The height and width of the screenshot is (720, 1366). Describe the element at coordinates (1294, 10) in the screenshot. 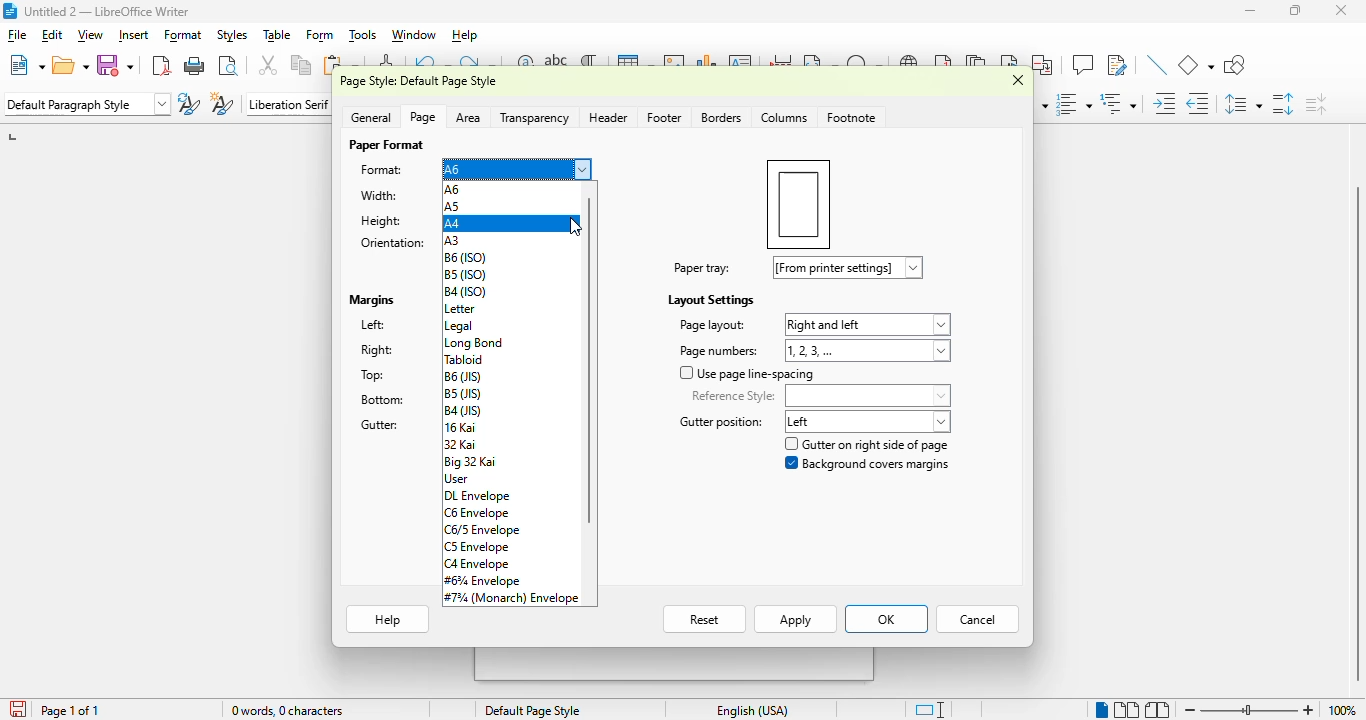

I see `maximize` at that location.